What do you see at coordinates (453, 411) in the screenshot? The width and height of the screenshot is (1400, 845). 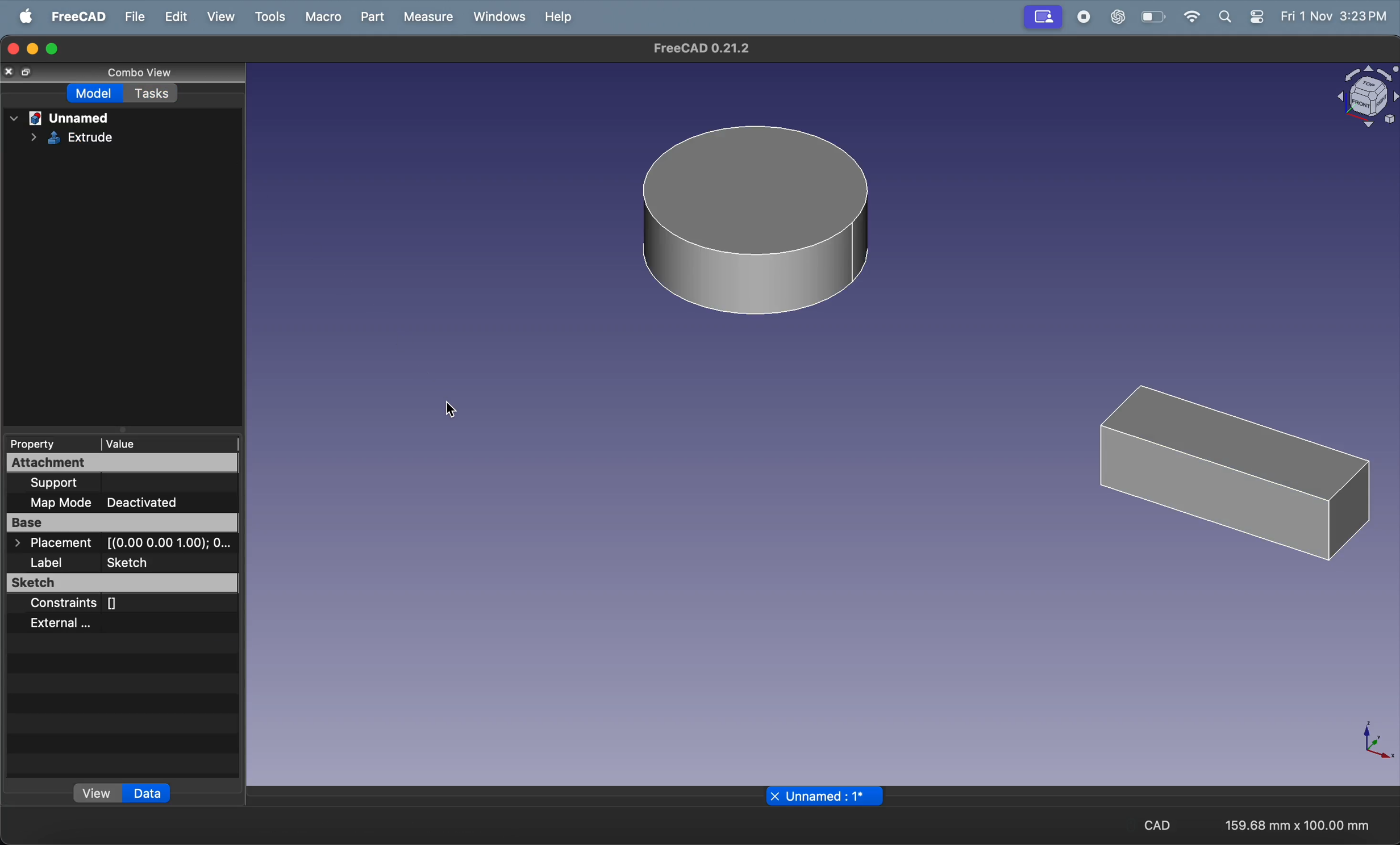 I see `cursor` at bounding box center [453, 411].